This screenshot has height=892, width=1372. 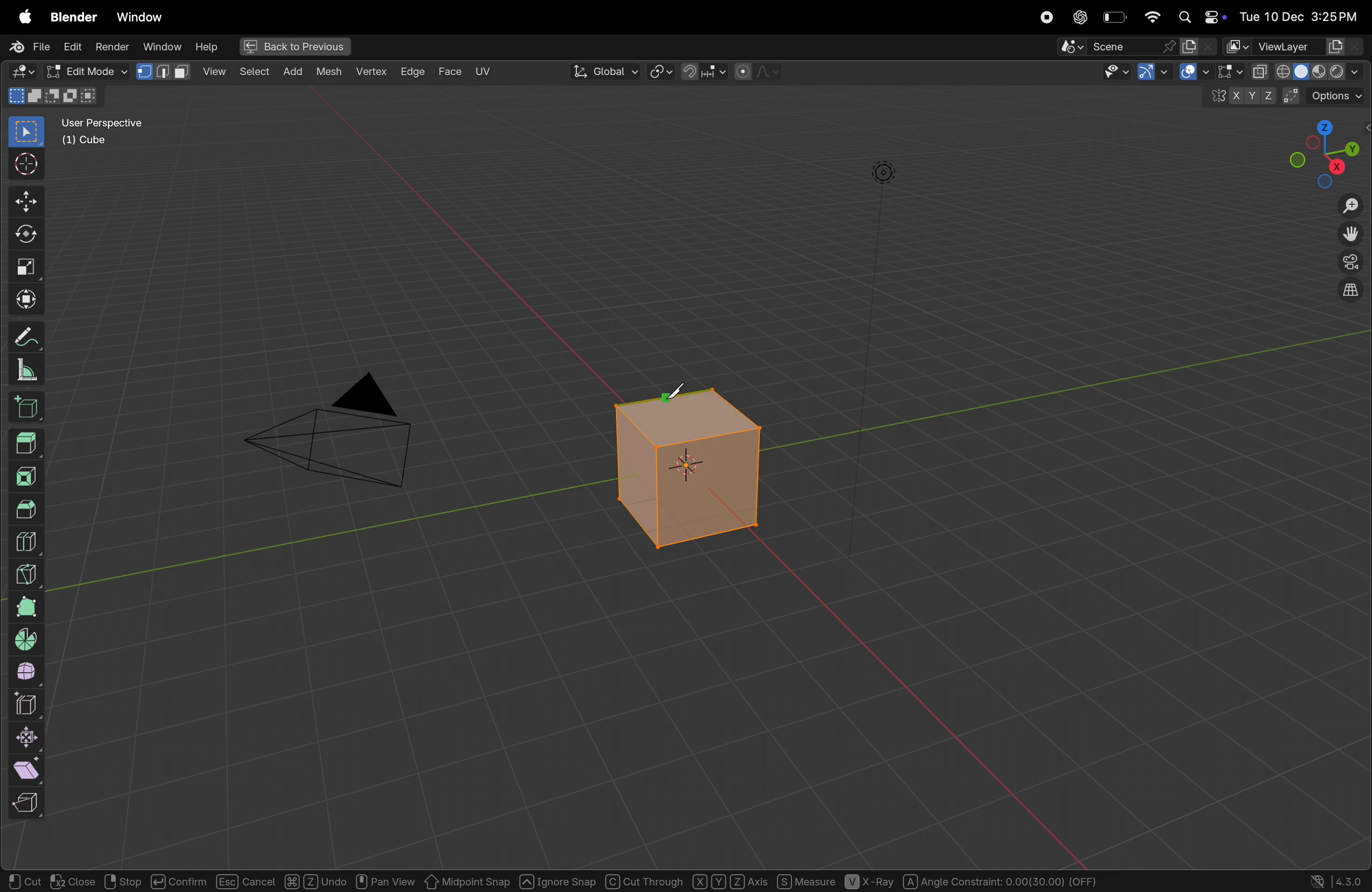 I want to click on reep region, so click(x=24, y=803).